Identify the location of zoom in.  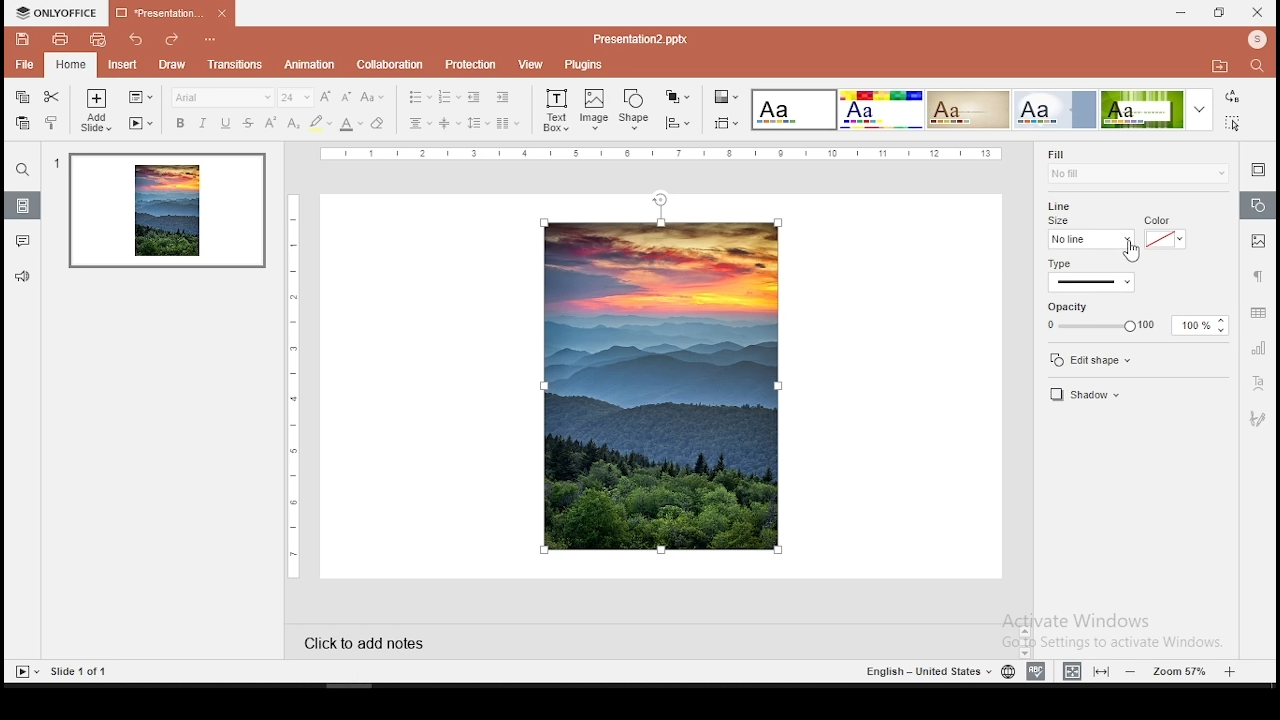
(1232, 672).